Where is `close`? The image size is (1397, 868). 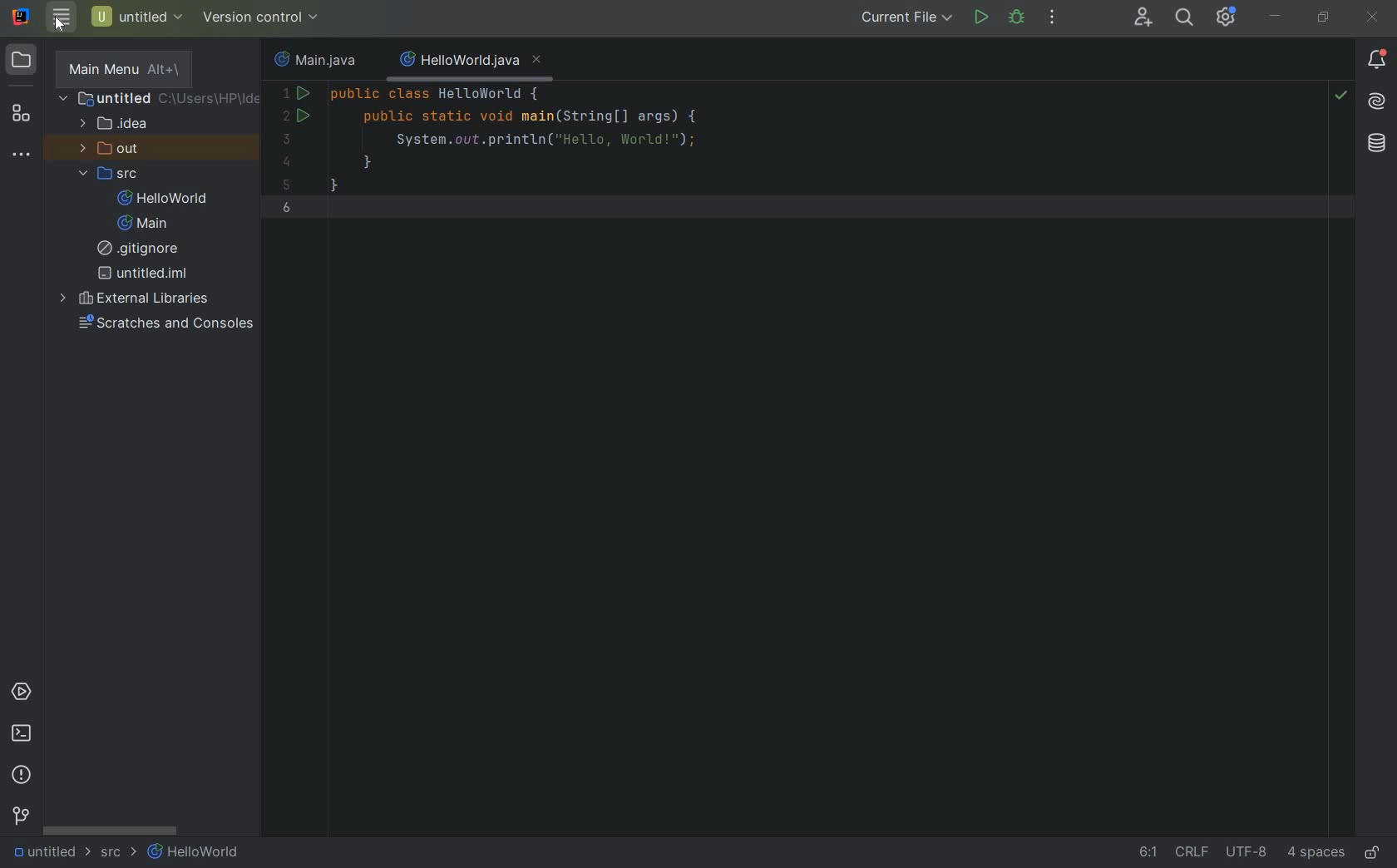 close is located at coordinates (1374, 18).